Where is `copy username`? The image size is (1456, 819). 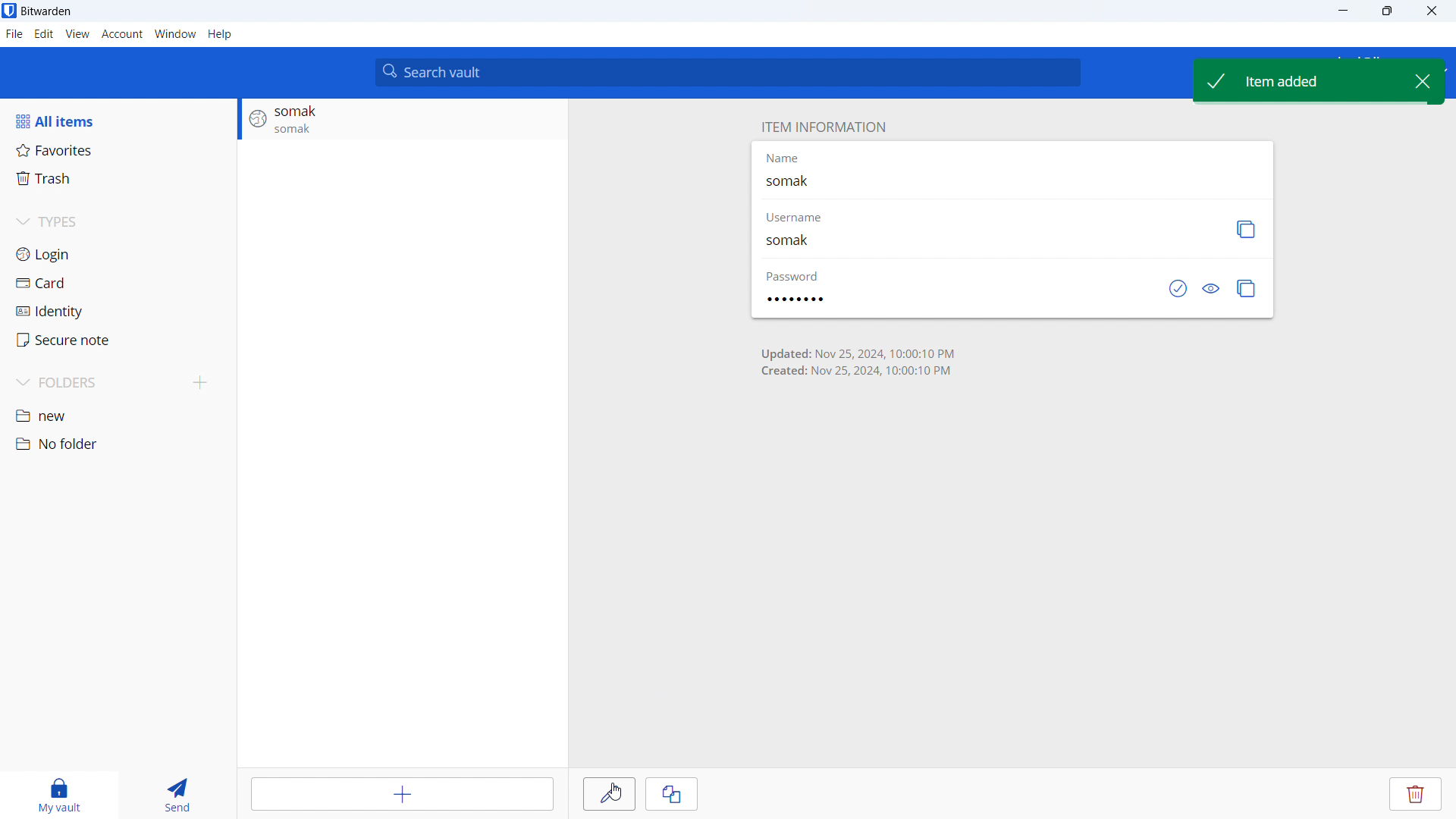
copy username is located at coordinates (1246, 231).